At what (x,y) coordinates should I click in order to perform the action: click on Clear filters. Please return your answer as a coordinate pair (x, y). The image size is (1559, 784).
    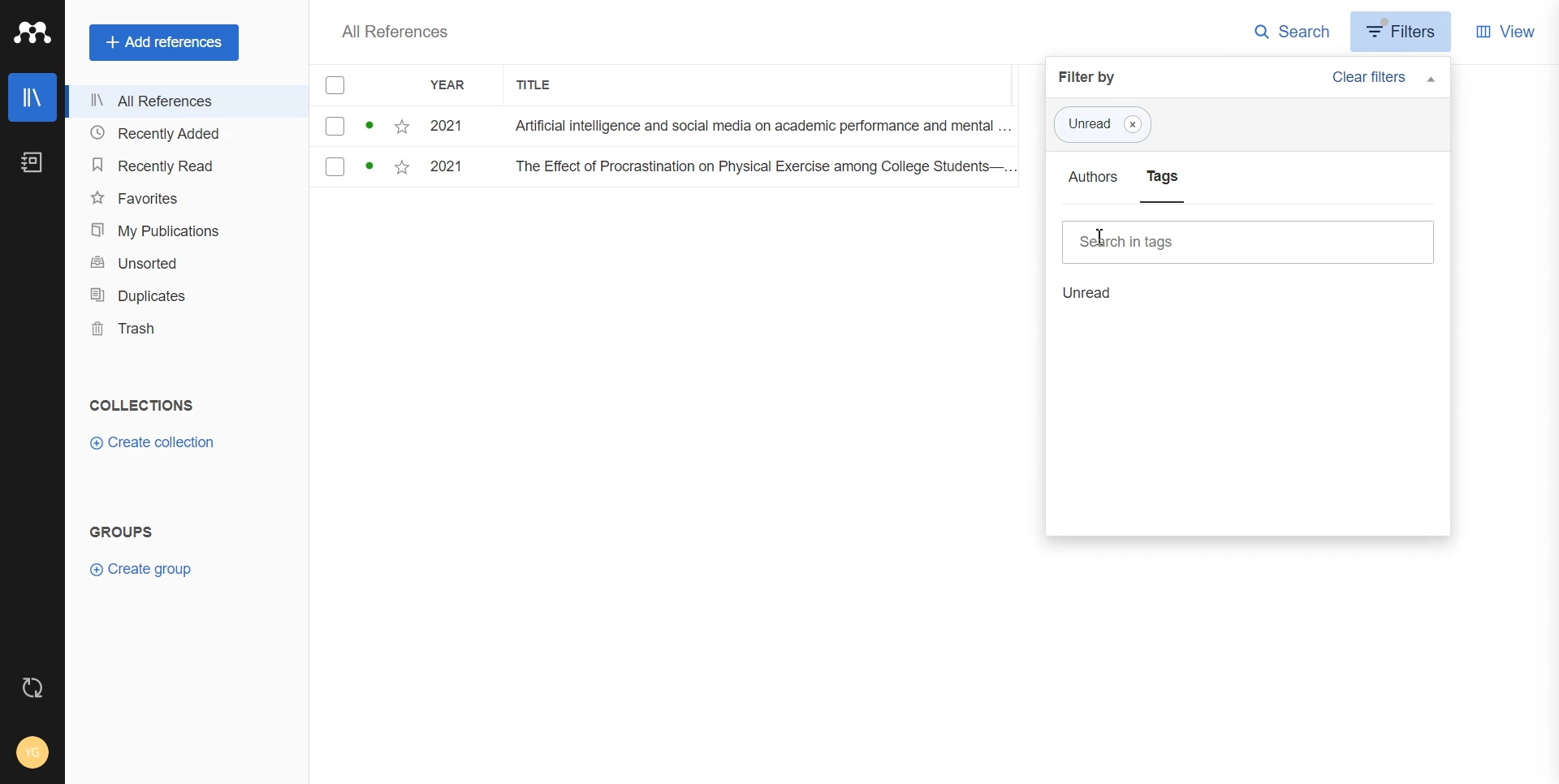
    Looking at the image, I should click on (1388, 80).